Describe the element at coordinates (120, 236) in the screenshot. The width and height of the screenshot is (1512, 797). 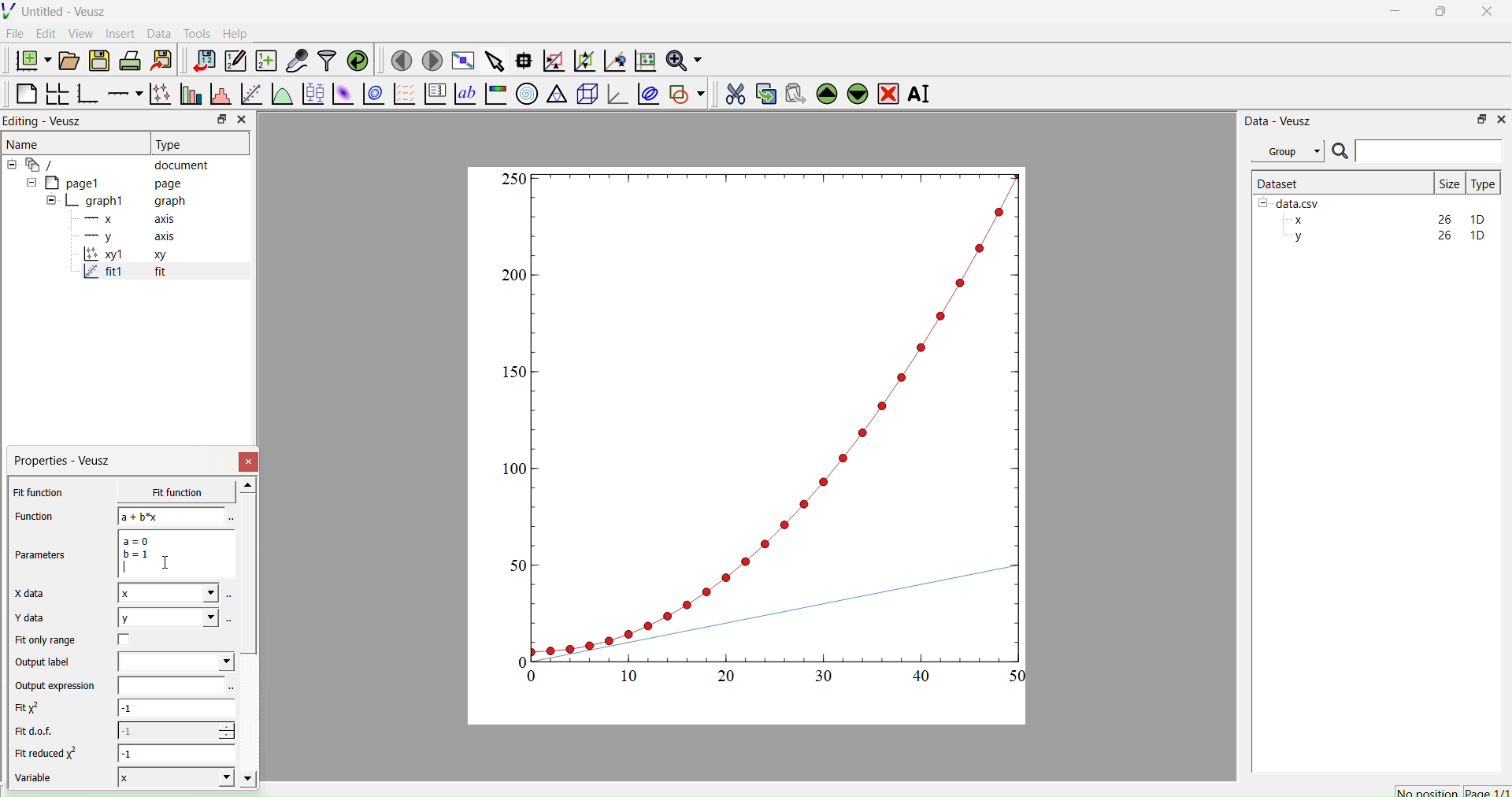
I see `y axis` at that location.